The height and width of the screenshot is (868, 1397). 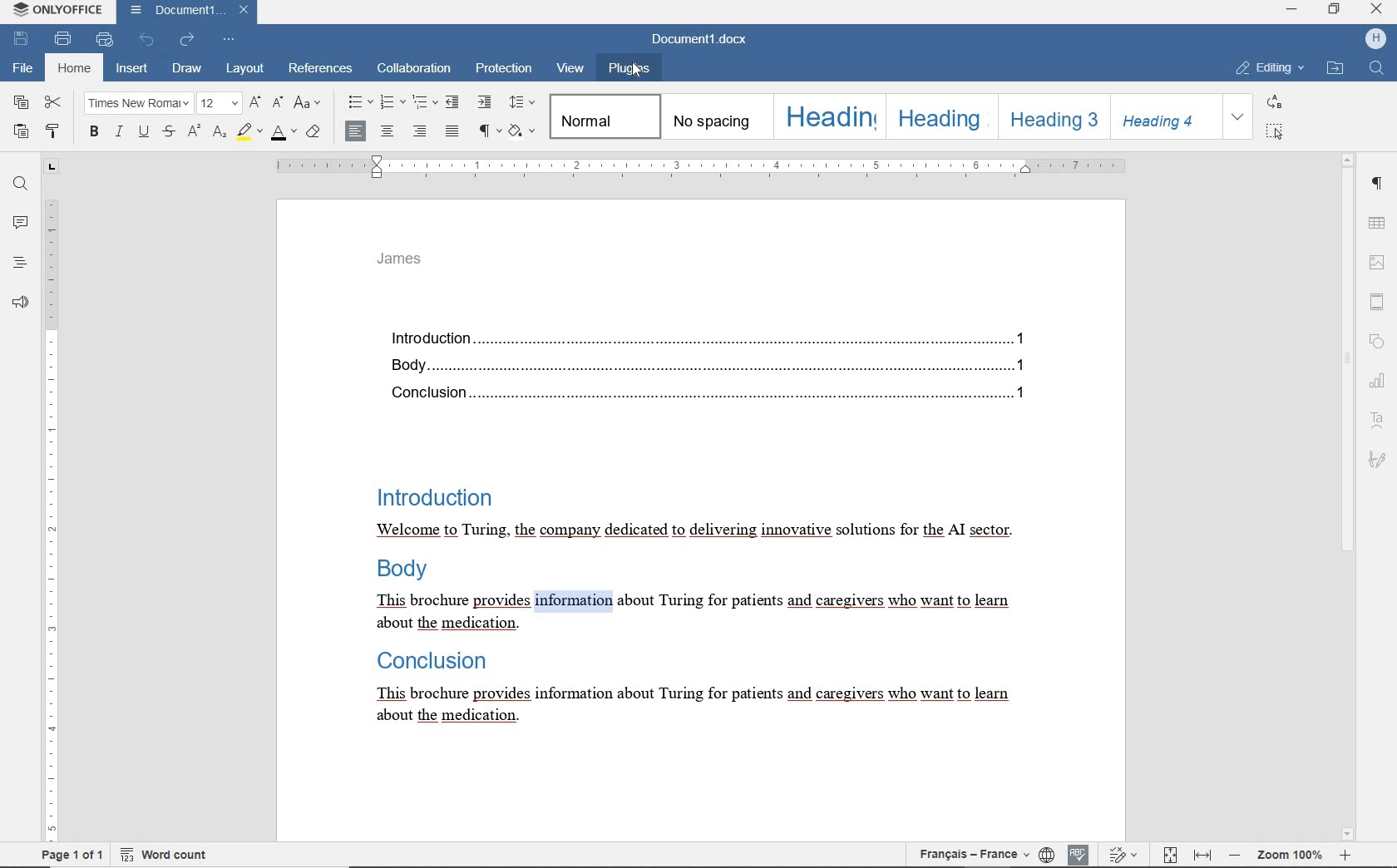 What do you see at coordinates (390, 131) in the screenshot?
I see `ALIGN CENTER` at bounding box center [390, 131].